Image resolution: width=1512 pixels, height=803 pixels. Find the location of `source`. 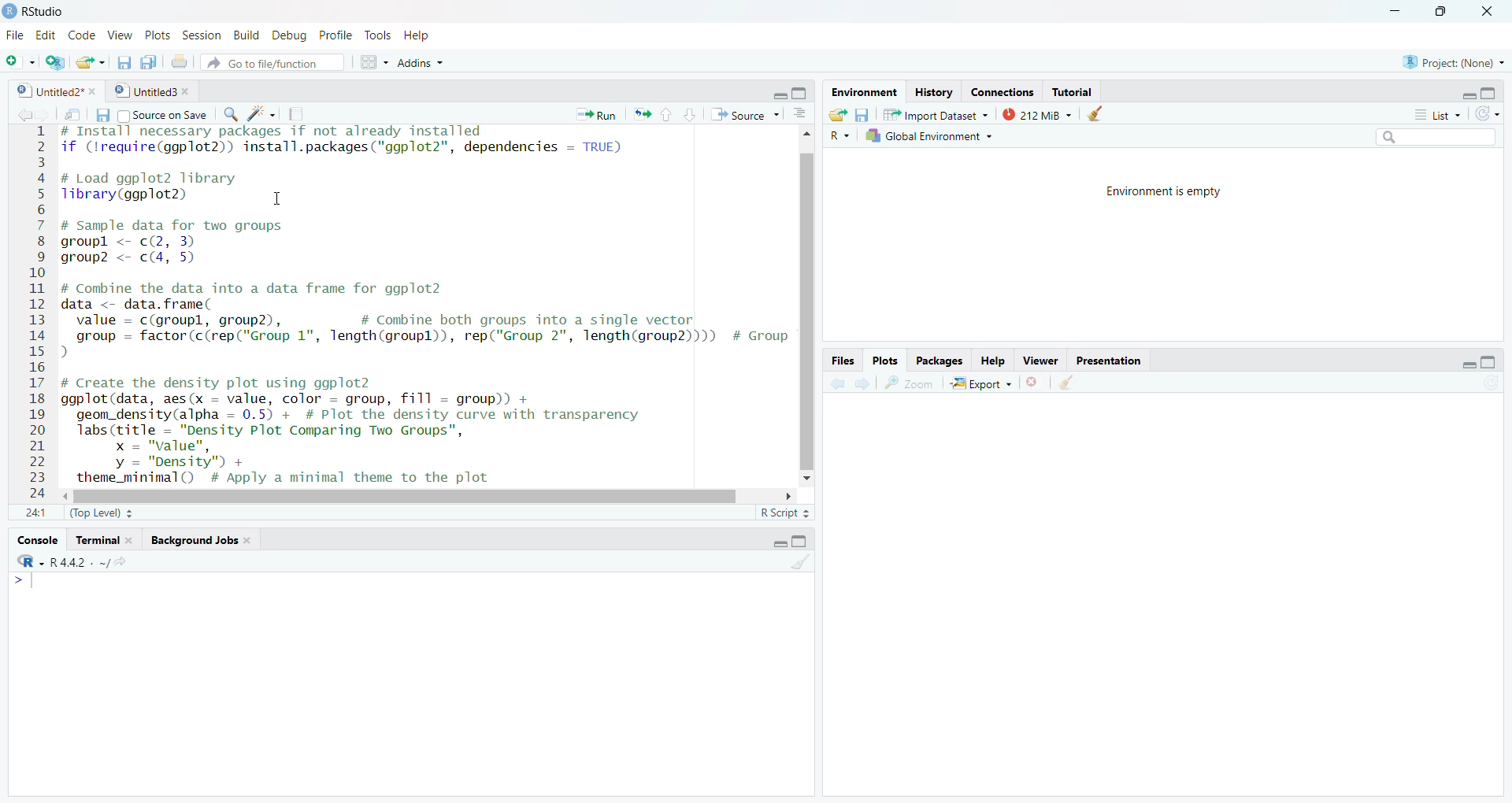

source is located at coordinates (744, 115).